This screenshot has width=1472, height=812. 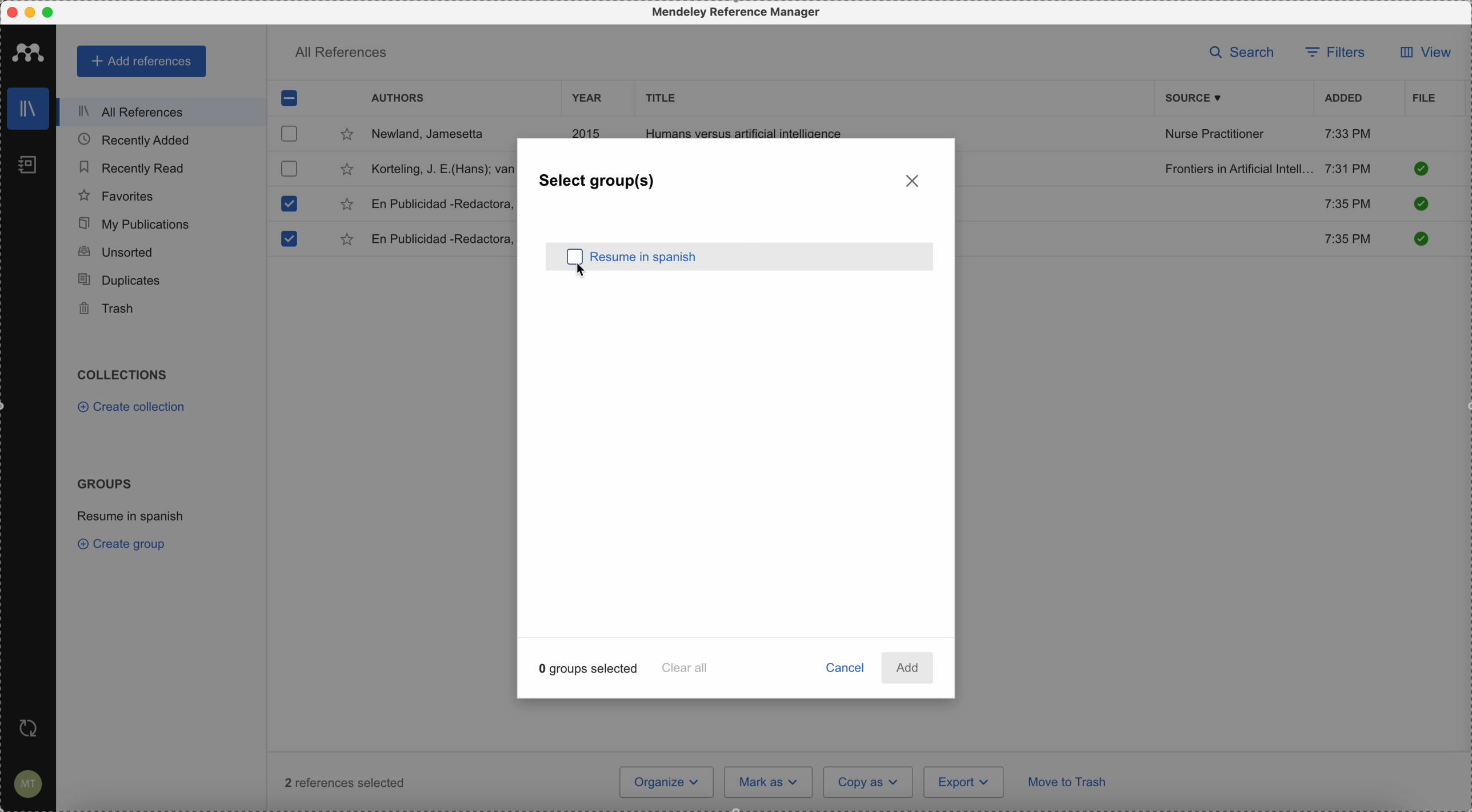 I want to click on view, so click(x=1422, y=52).